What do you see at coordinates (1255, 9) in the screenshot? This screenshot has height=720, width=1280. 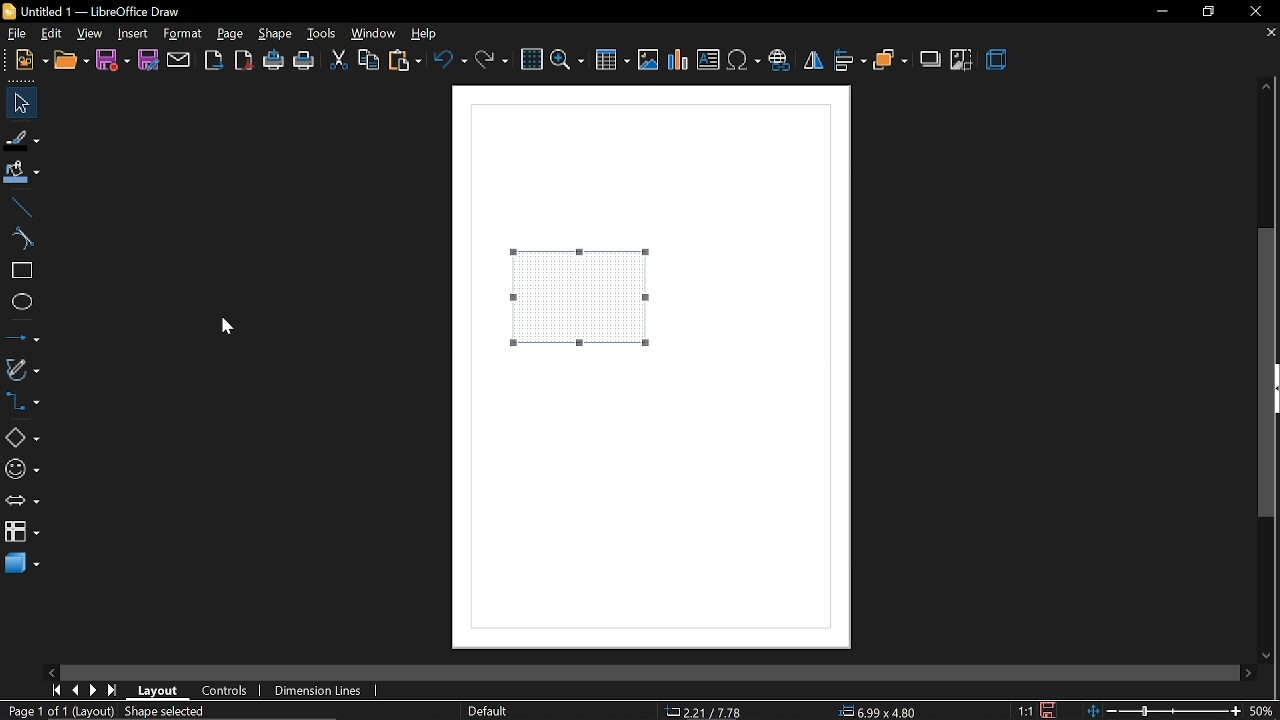 I see `Close` at bounding box center [1255, 9].